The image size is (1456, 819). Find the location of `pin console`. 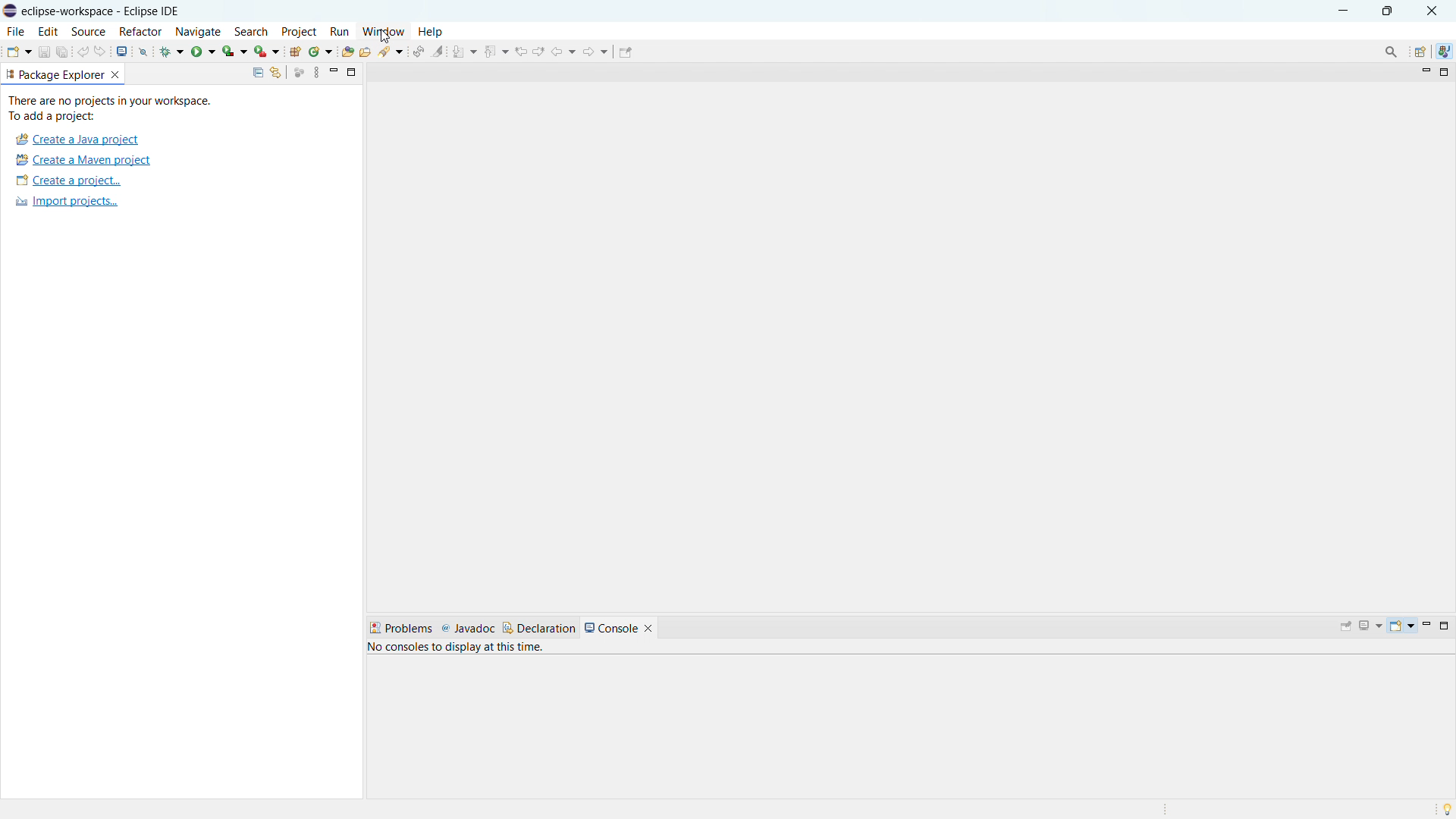

pin console is located at coordinates (1346, 626).